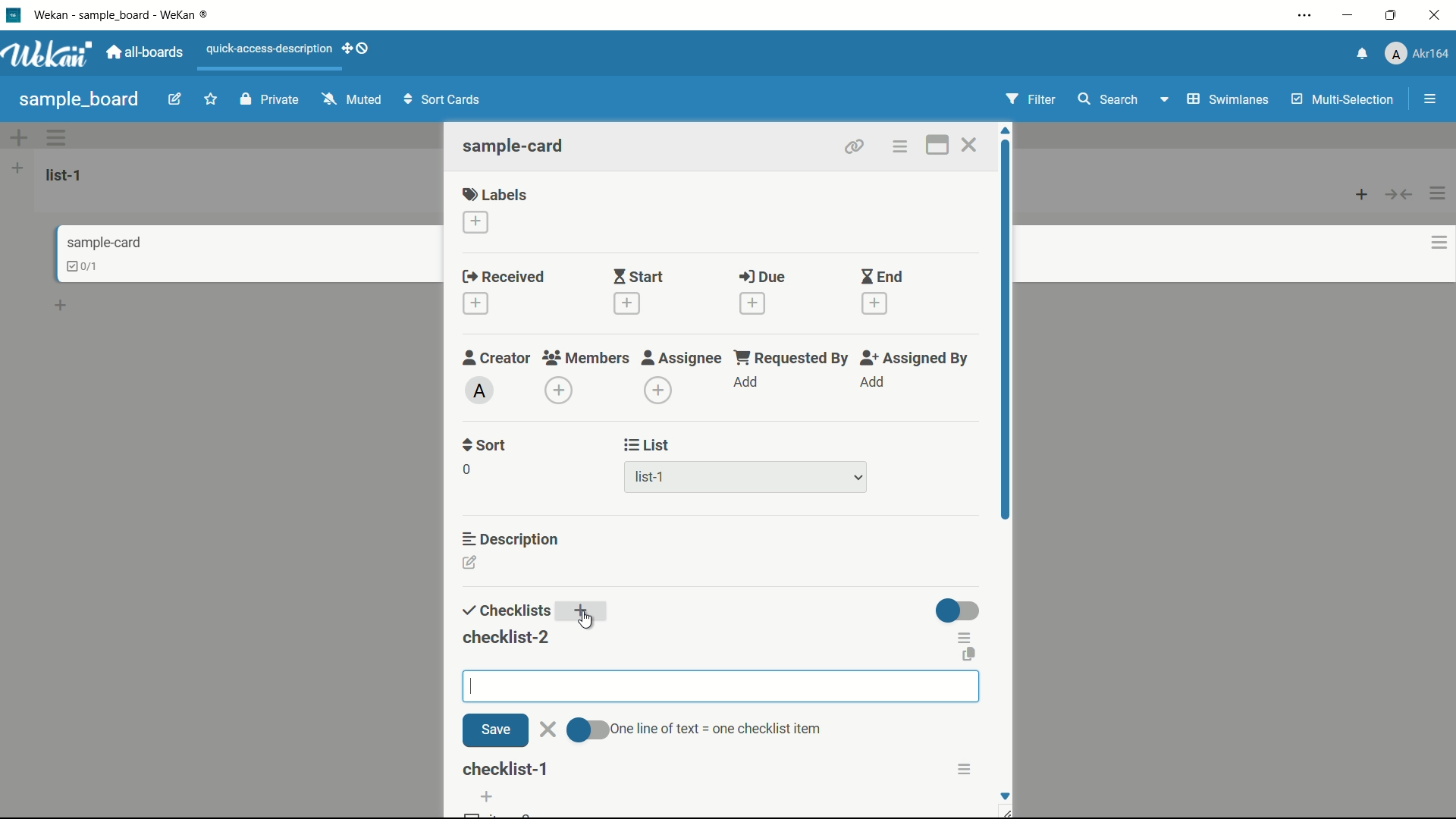  I want to click on swimlane actions, so click(58, 137).